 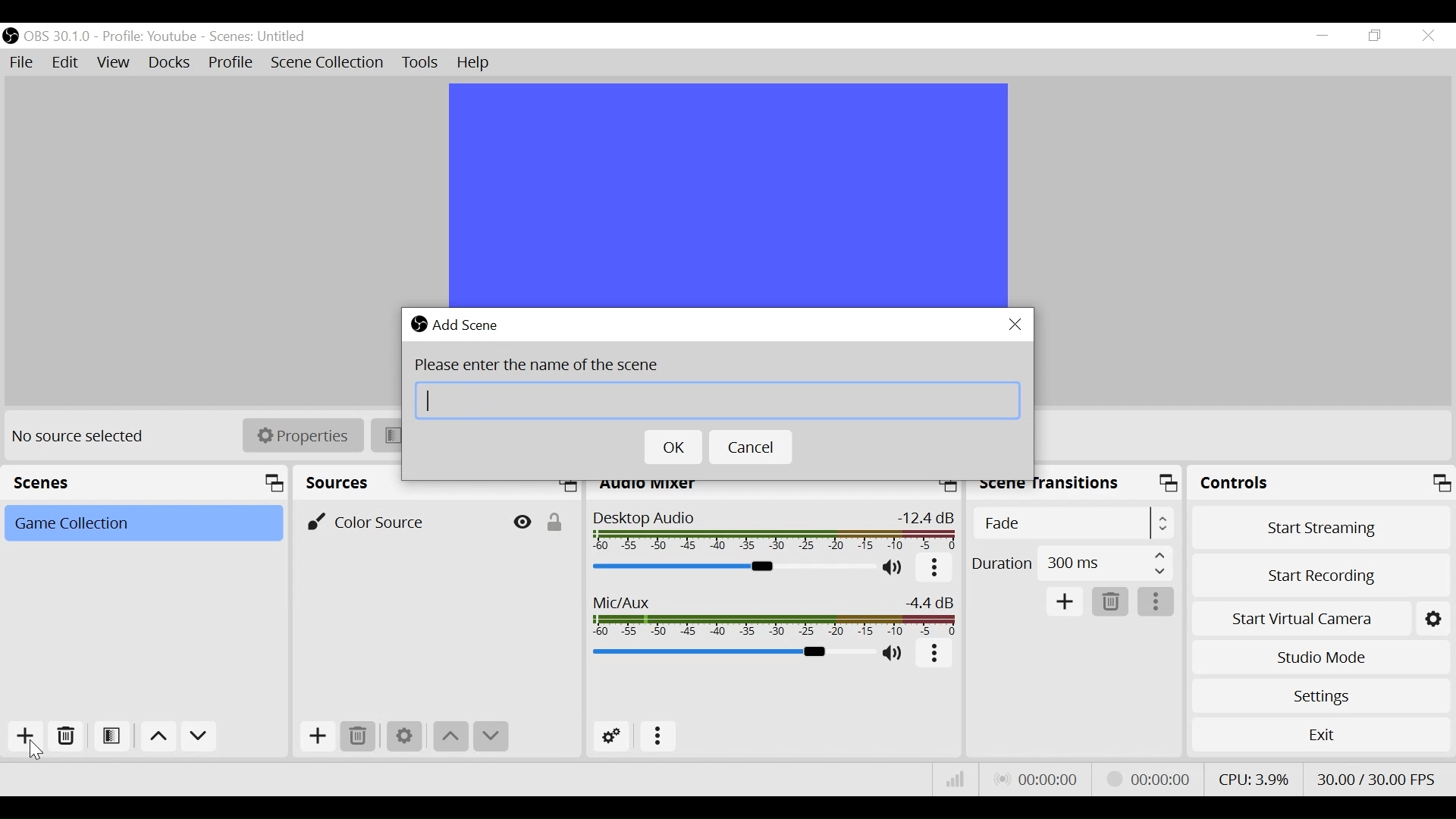 I want to click on Add, so click(x=24, y=736).